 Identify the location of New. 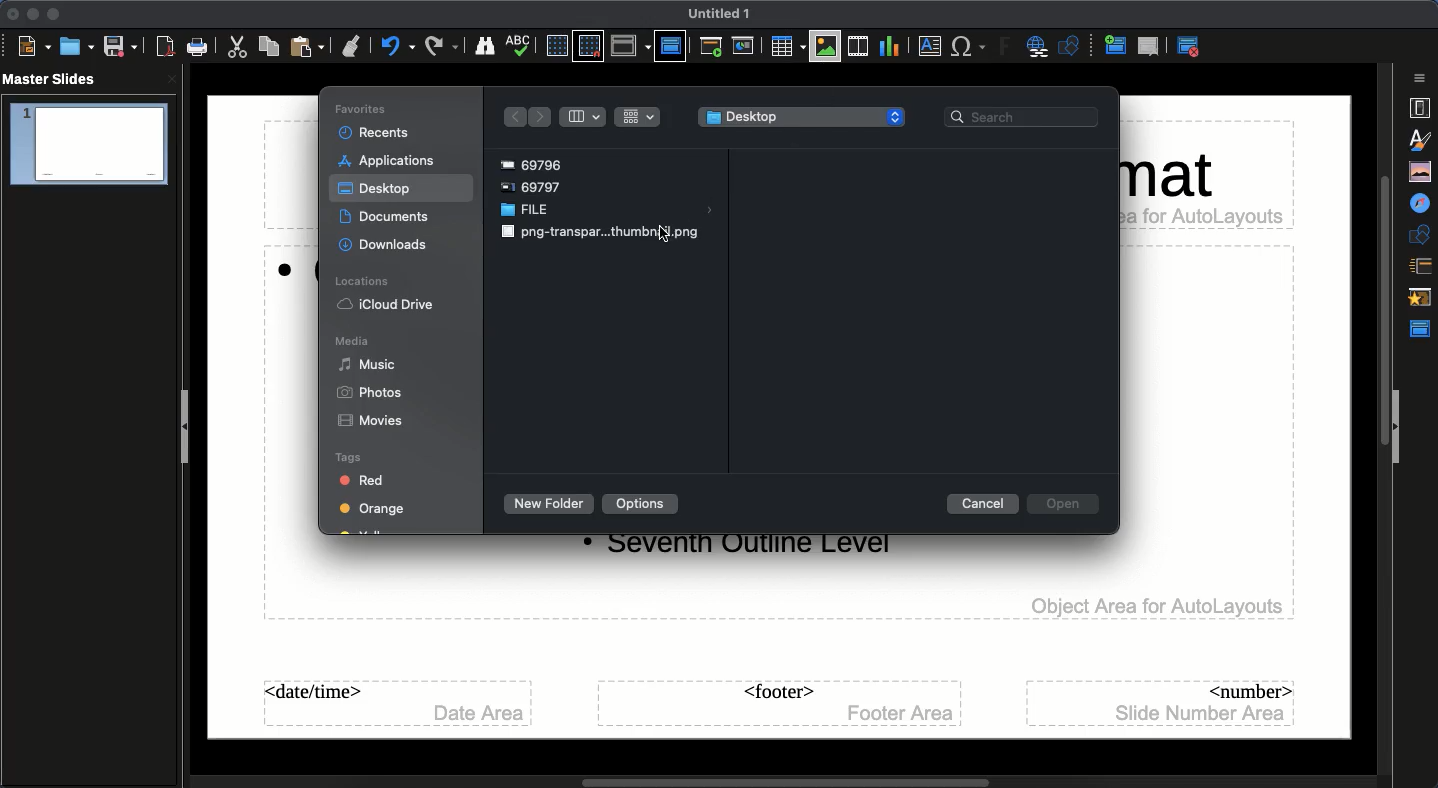
(34, 47).